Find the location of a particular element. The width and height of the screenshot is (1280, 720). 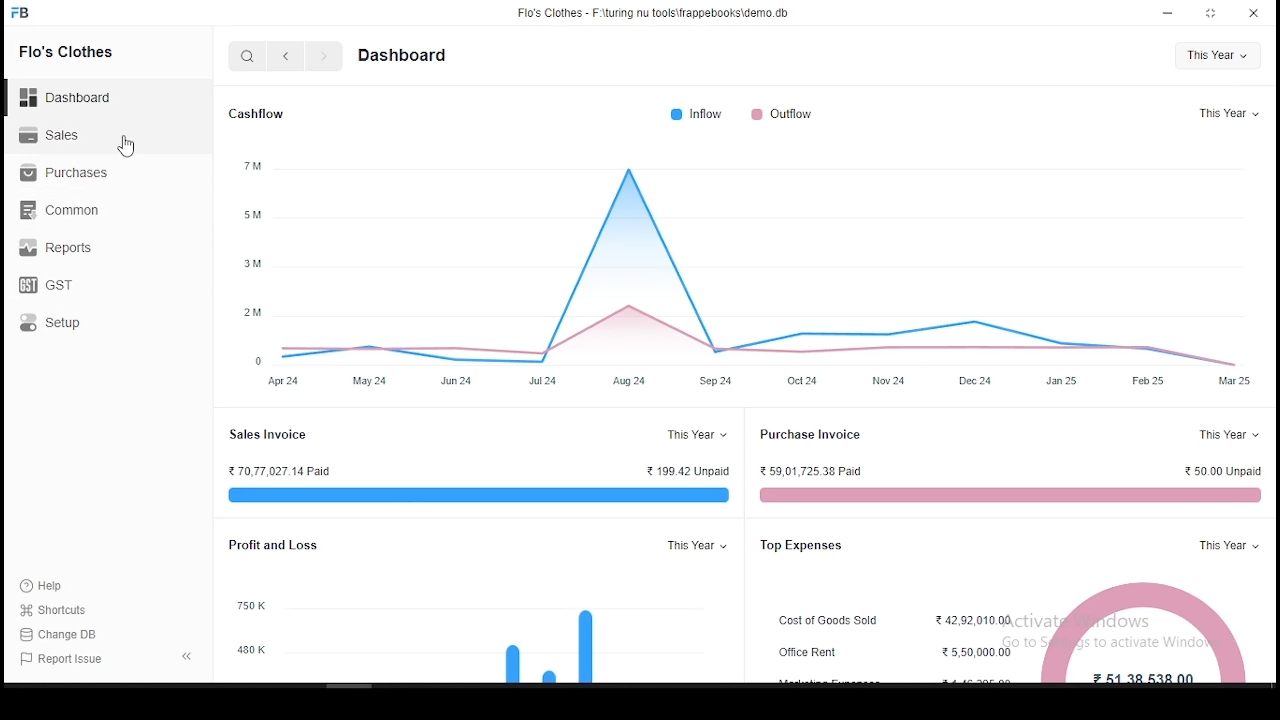

change DB is located at coordinates (74, 635).